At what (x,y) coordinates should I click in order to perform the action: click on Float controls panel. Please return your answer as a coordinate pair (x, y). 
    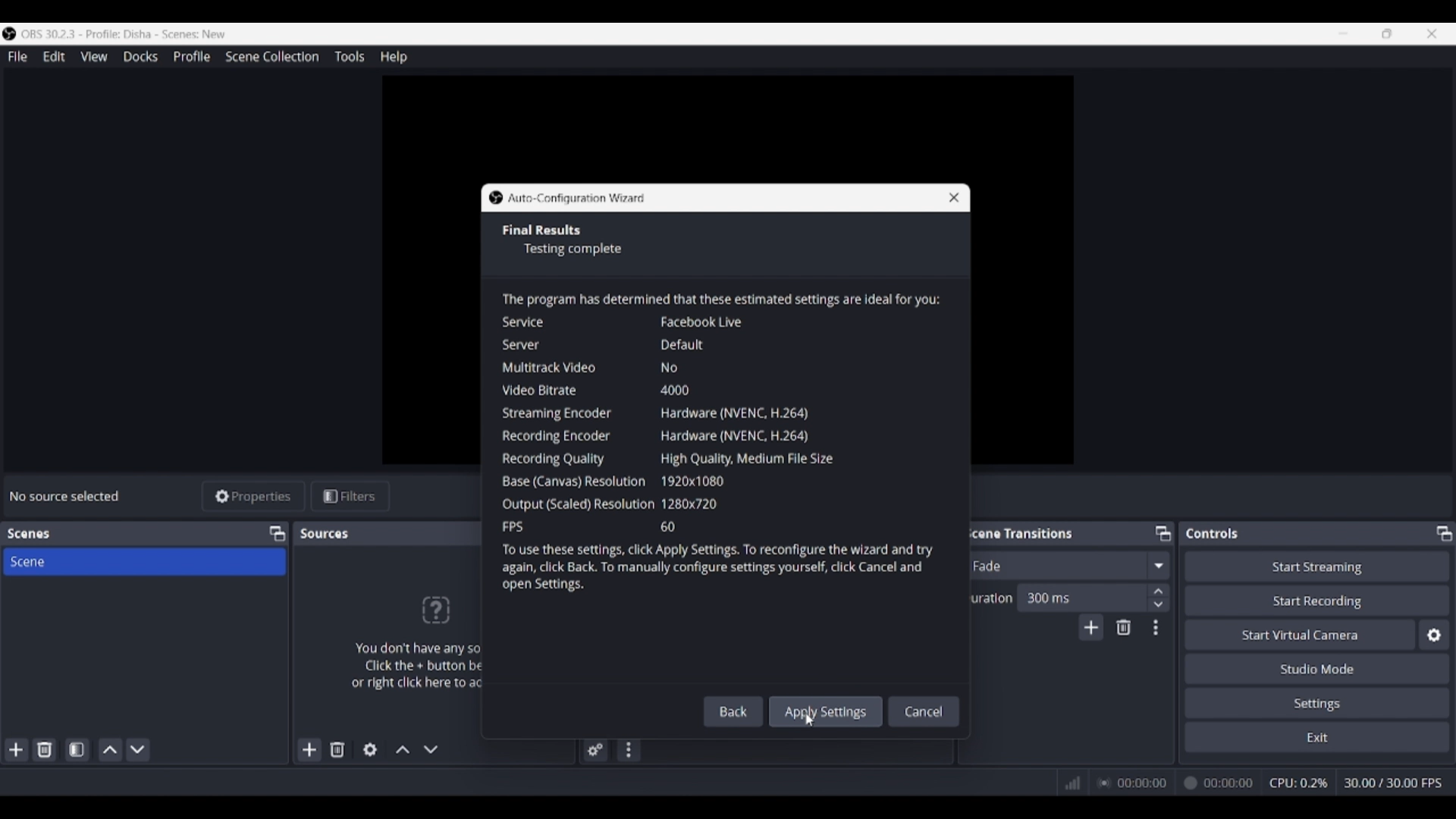
    Looking at the image, I should click on (1444, 533).